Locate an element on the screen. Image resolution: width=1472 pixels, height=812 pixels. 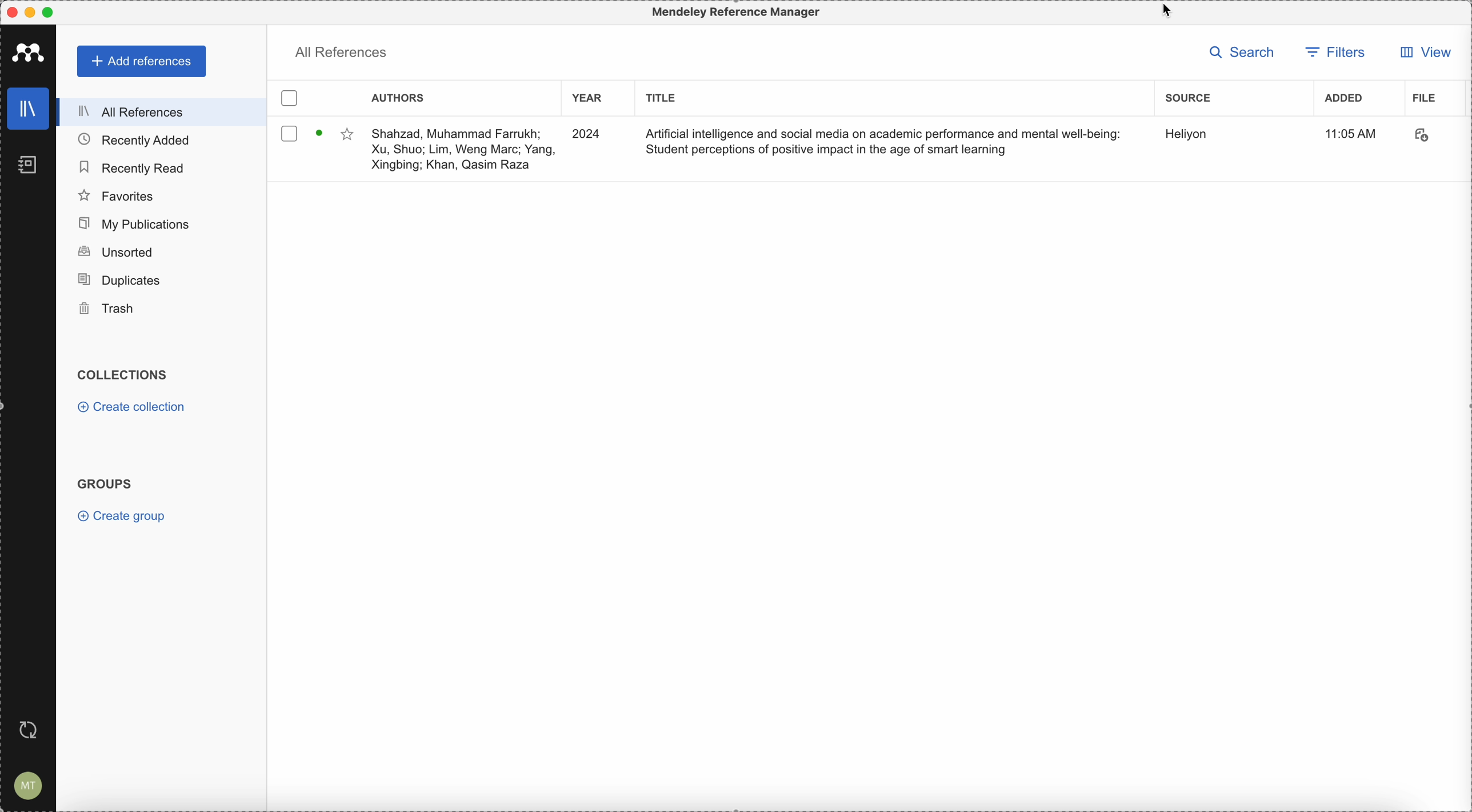
search is located at coordinates (1238, 52).